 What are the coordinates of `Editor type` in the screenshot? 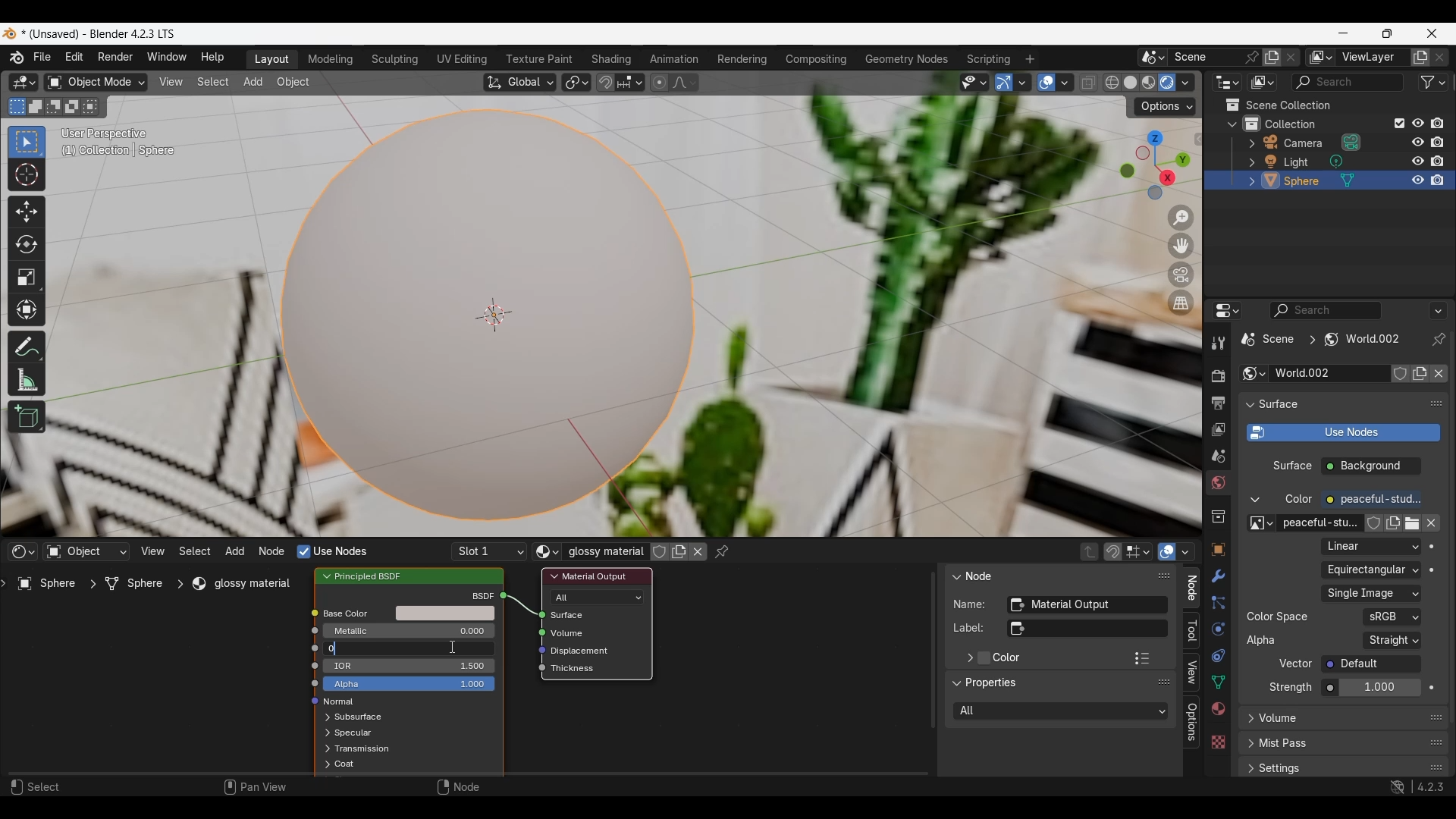 It's located at (24, 82).